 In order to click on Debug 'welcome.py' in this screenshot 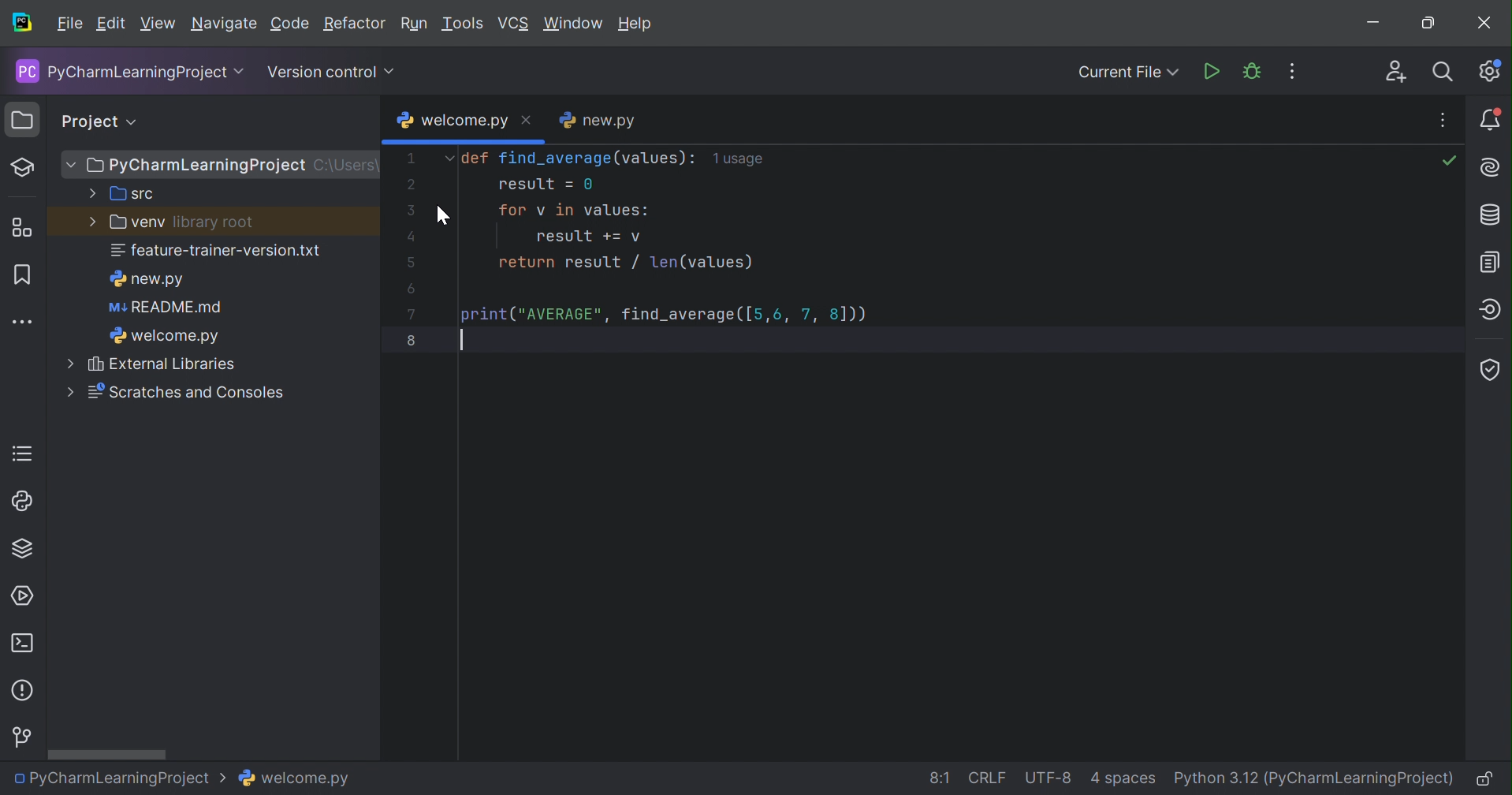, I will do `click(1251, 72)`.